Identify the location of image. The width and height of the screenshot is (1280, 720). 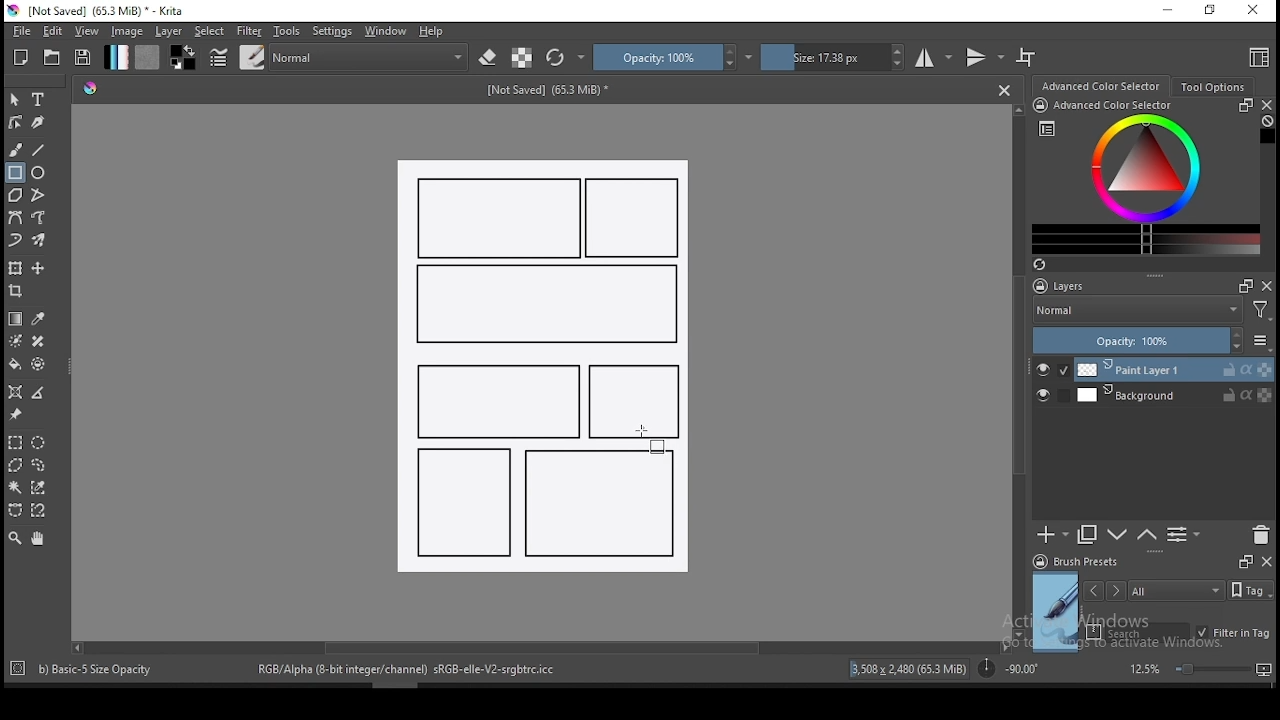
(126, 31).